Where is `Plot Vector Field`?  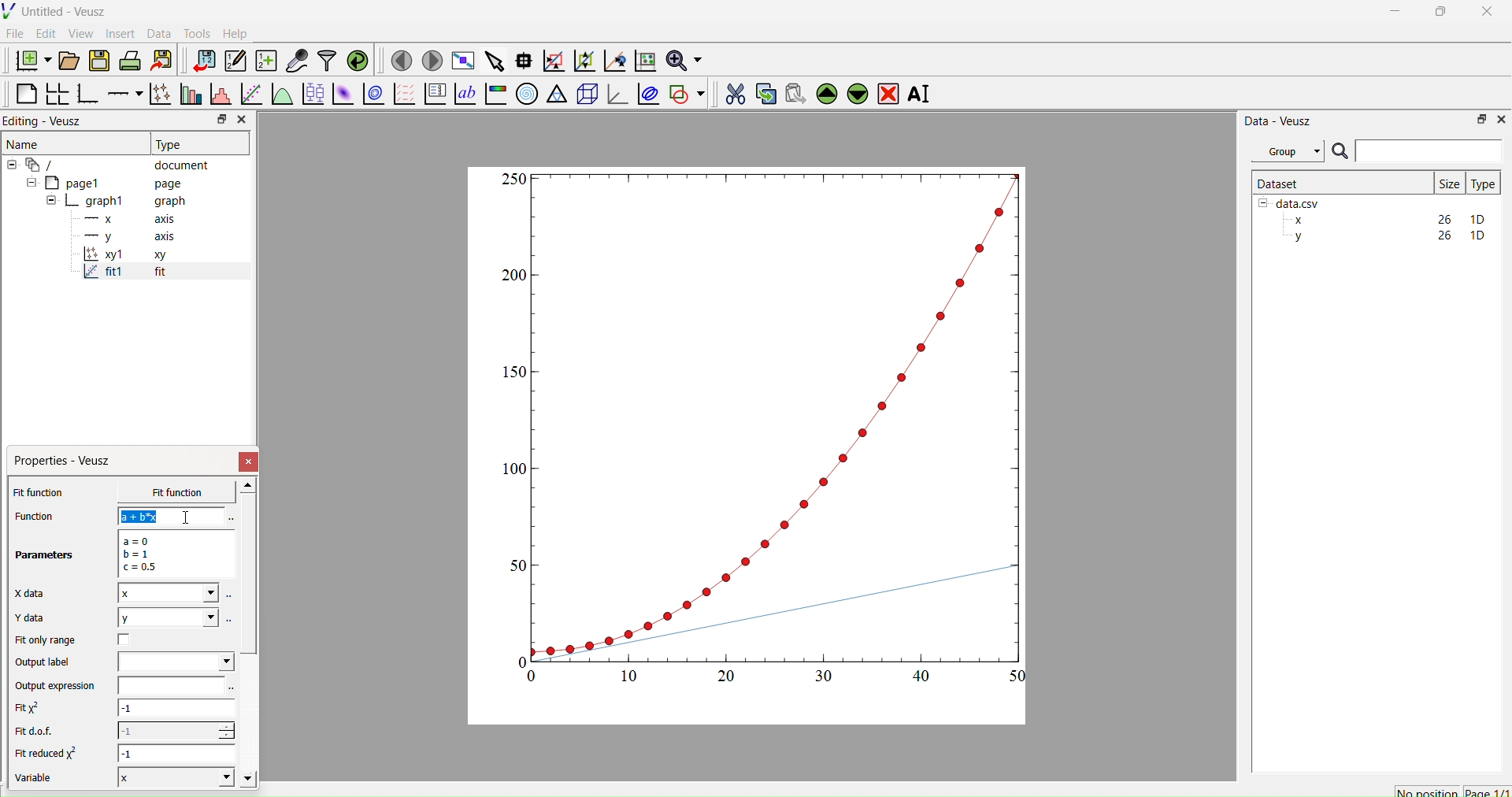 Plot Vector Field is located at coordinates (404, 95).